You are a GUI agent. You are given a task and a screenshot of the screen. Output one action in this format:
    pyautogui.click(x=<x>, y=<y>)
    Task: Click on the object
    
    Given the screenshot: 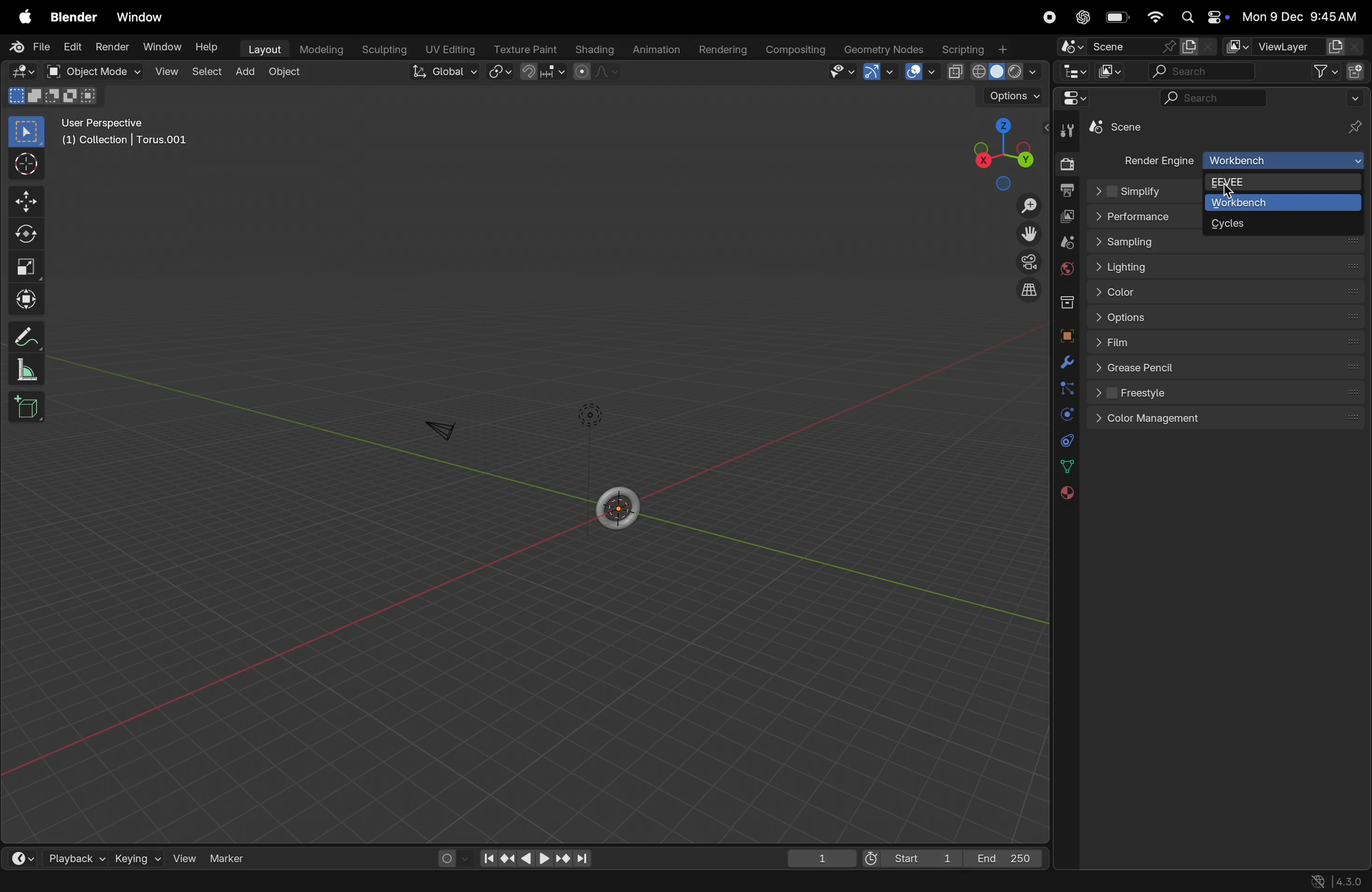 What is the action you would take?
    pyautogui.click(x=288, y=71)
    